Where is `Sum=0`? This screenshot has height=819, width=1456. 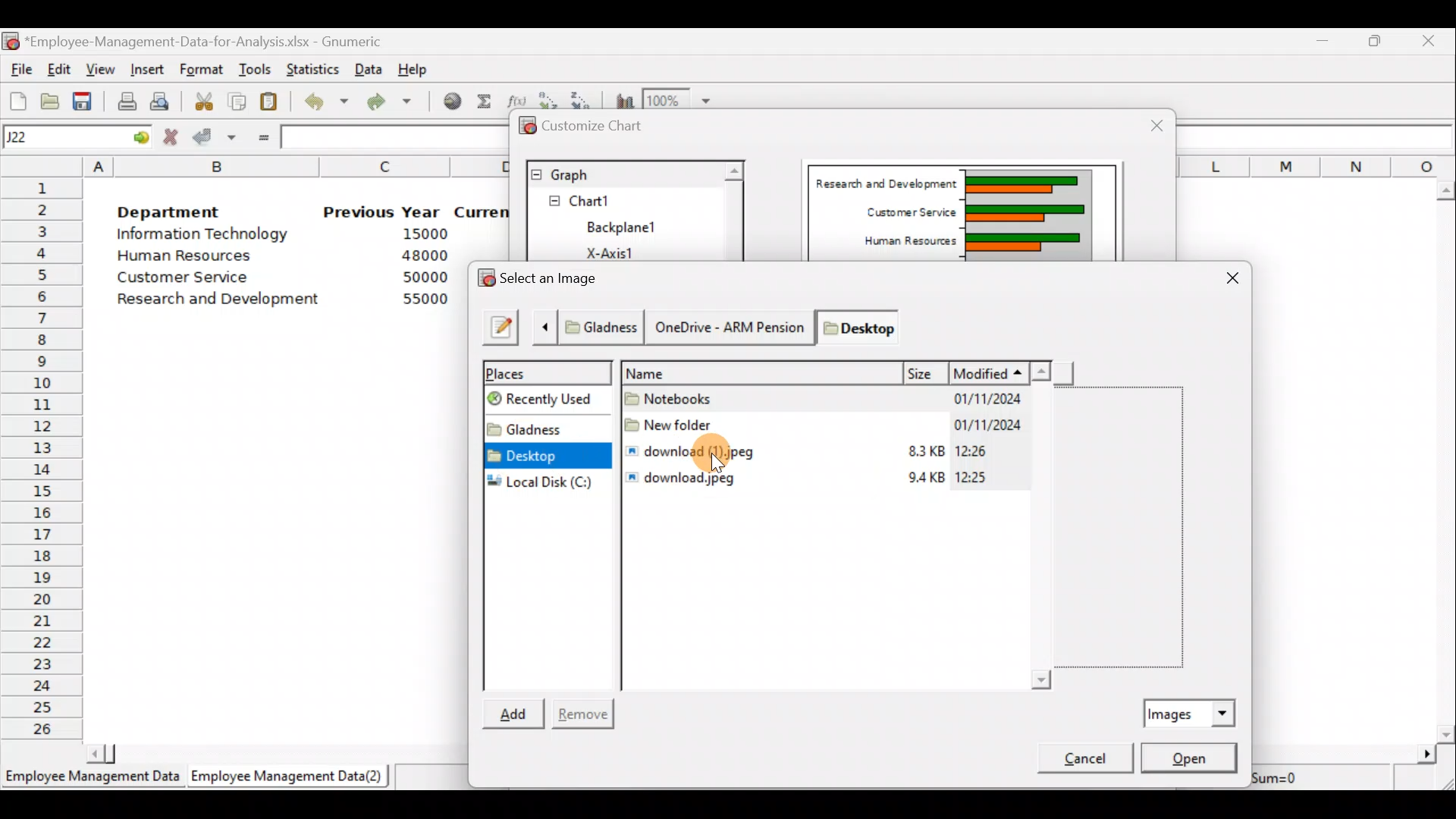
Sum=0 is located at coordinates (1296, 777).